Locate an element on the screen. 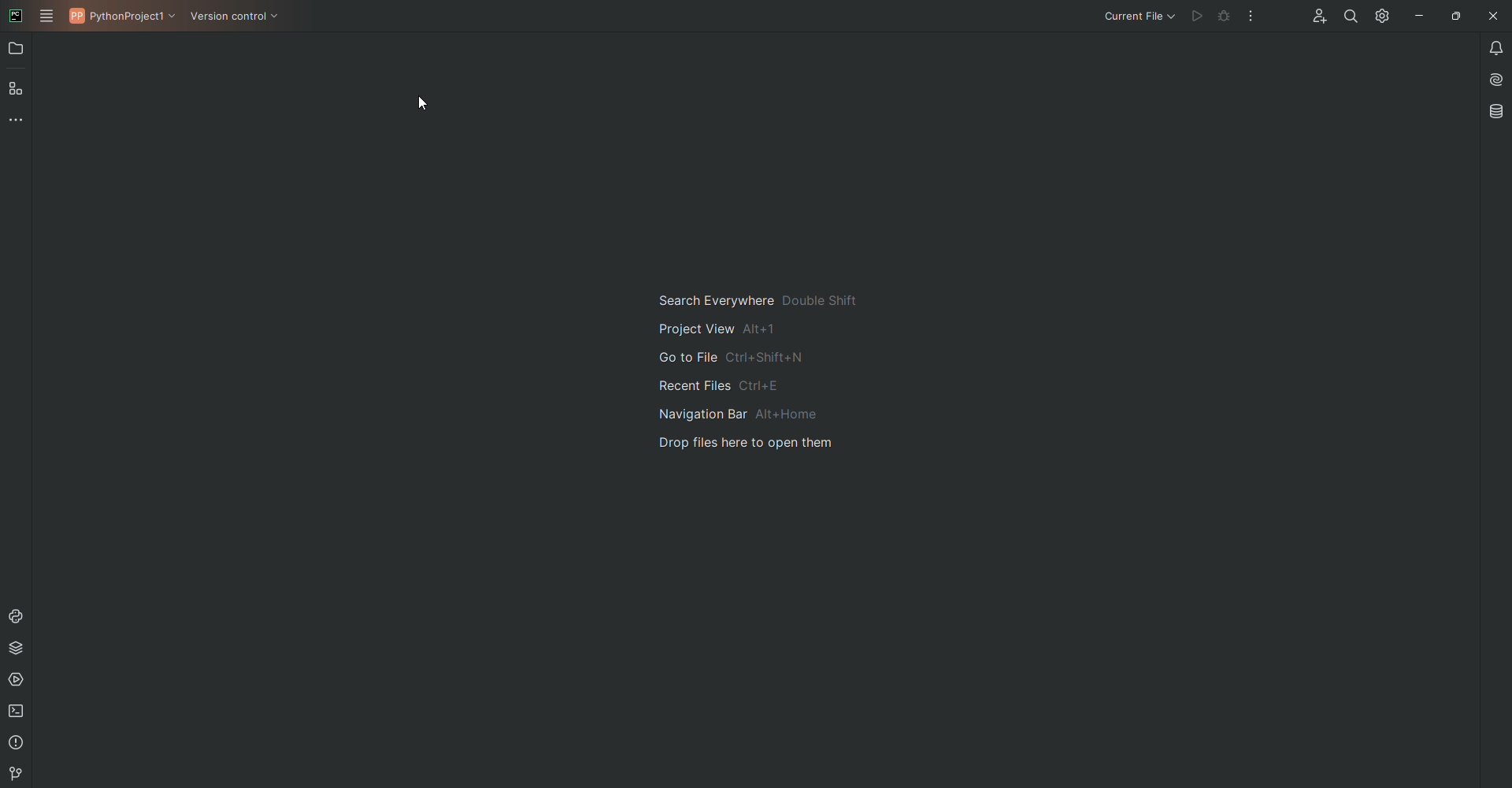 The width and height of the screenshot is (1512, 788). AI is located at coordinates (1493, 80).